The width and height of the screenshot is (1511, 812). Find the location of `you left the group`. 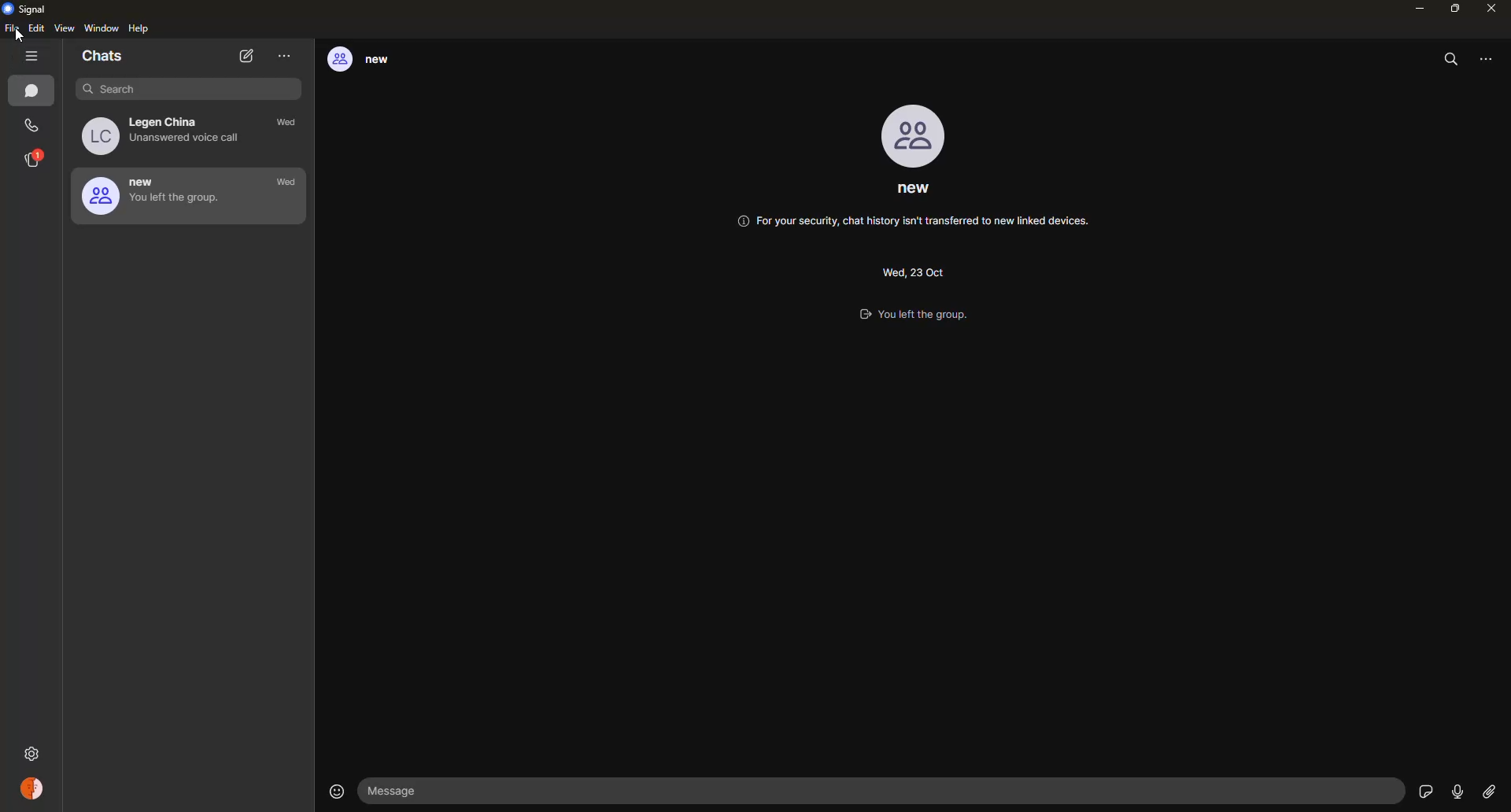

you left the group is located at coordinates (927, 316).